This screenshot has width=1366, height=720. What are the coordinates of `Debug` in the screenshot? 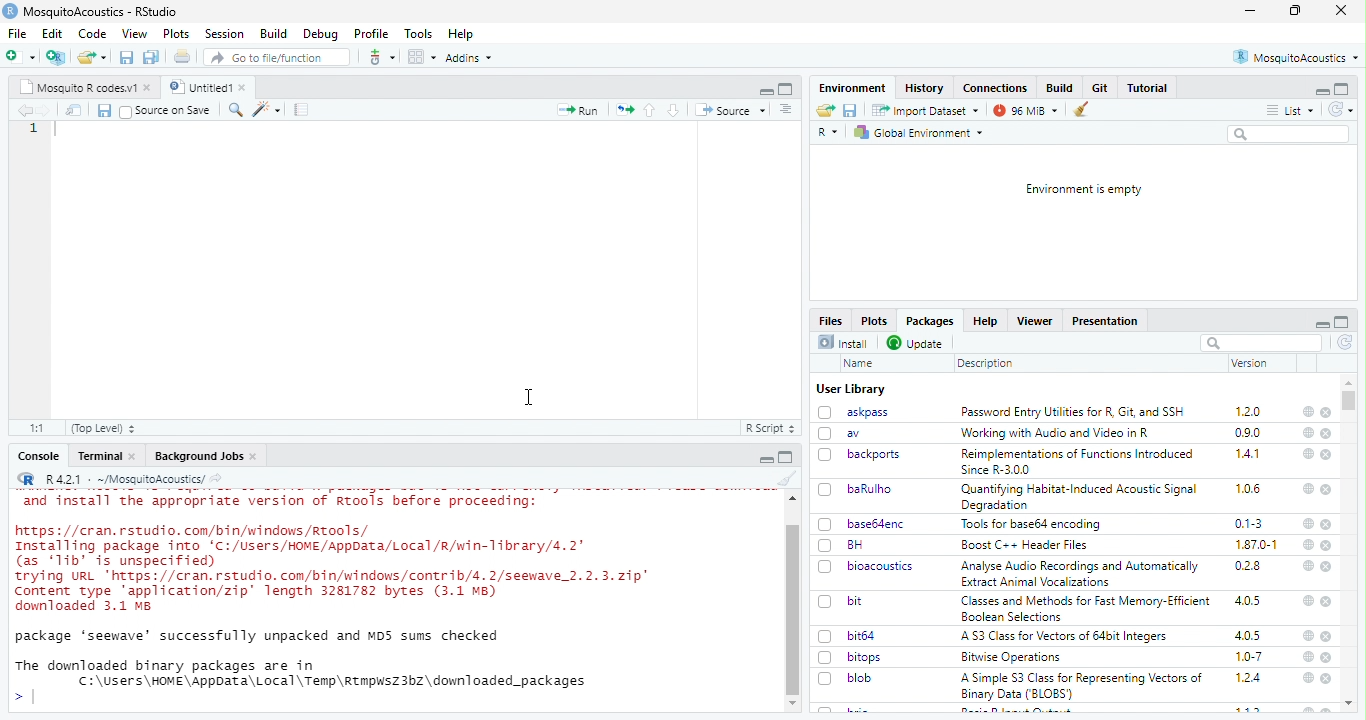 It's located at (322, 35).